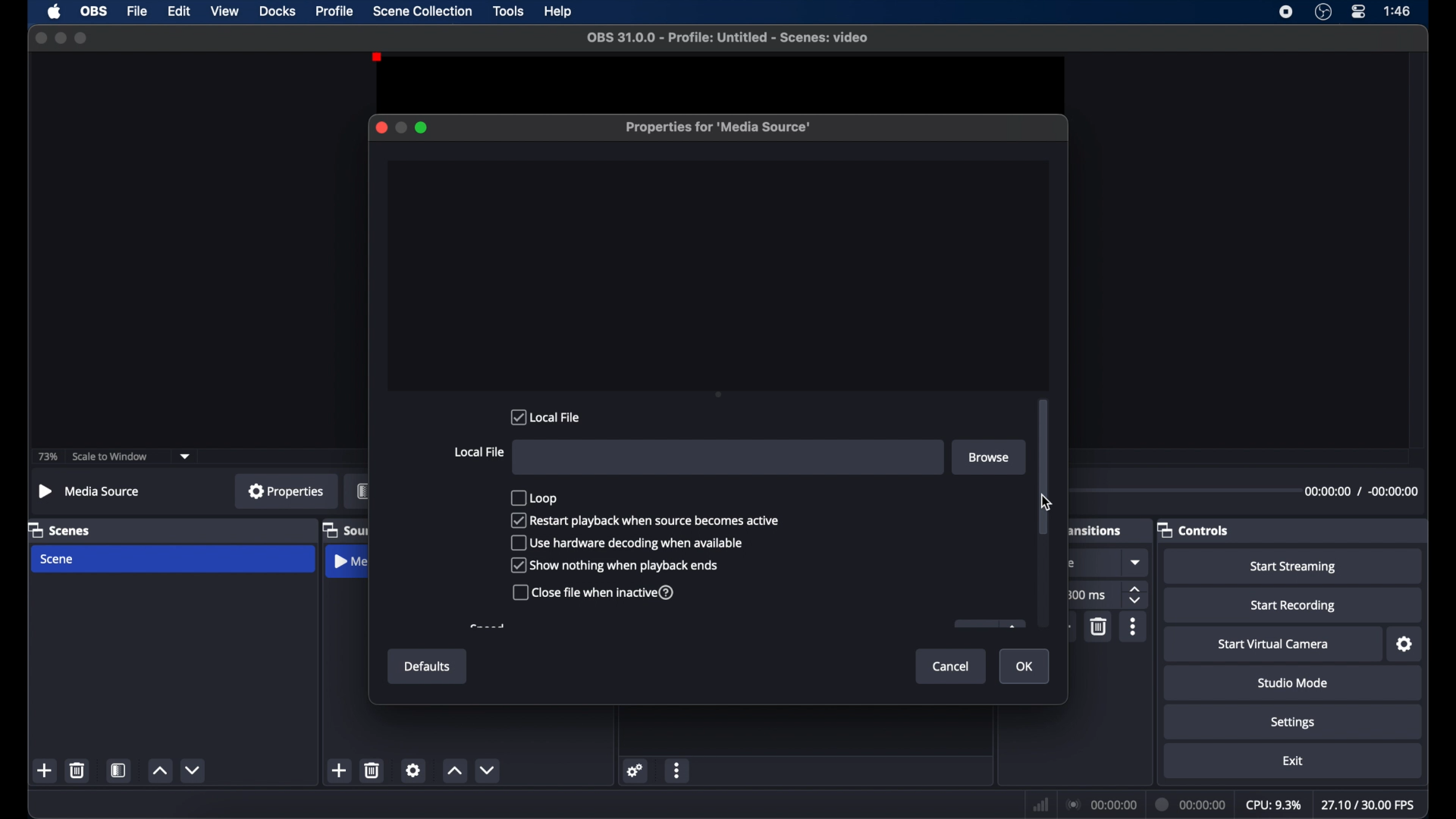 The width and height of the screenshot is (1456, 819). Describe the element at coordinates (615, 565) in the screenshot. I see `show nothing when playback ends` at that location.